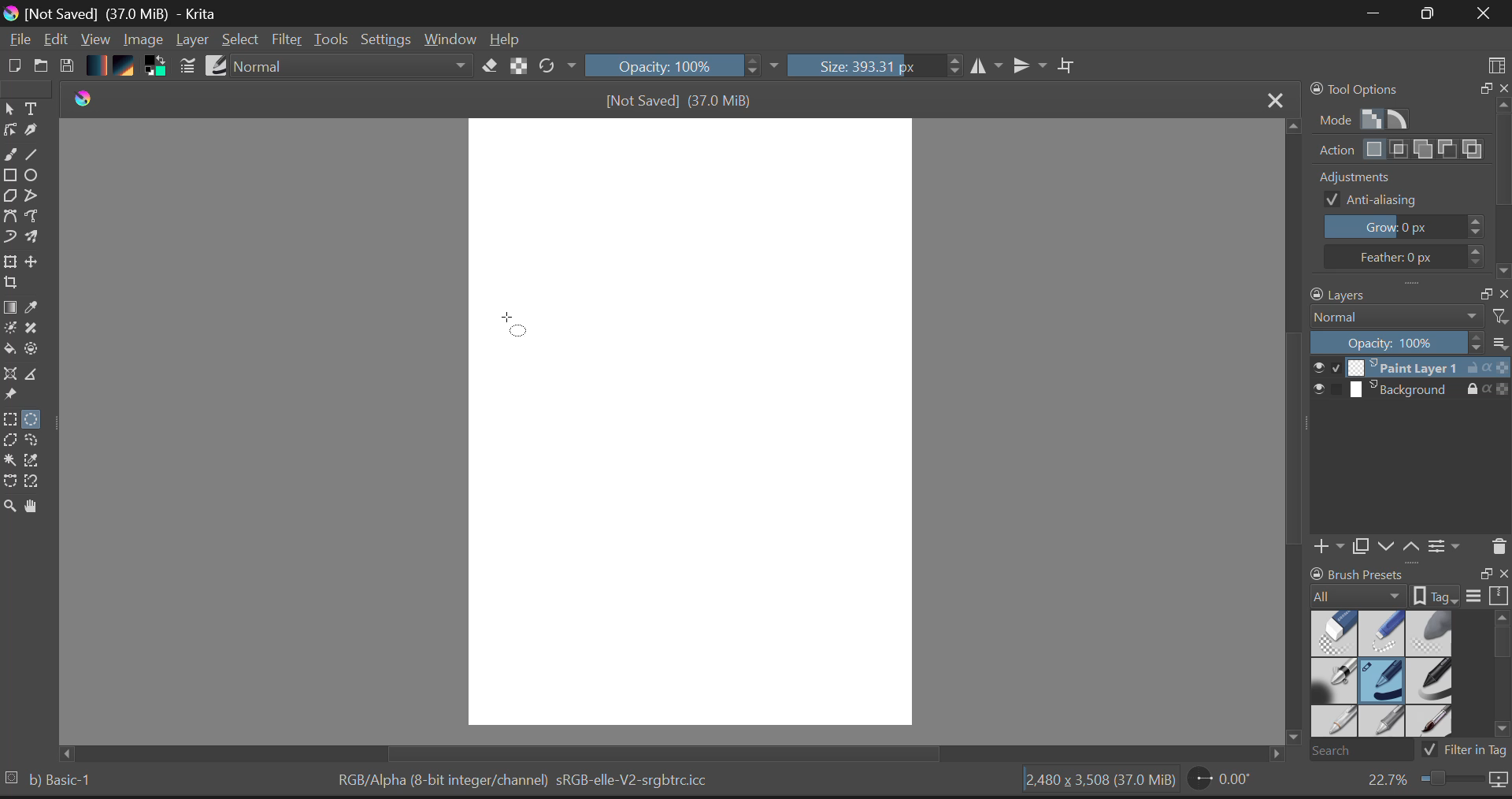 The height and width of the screenshot is (799, 1512). What do you see at coordinates (506, 39) in the screenshot?
I see `Help` at bounding box center [506, 39].